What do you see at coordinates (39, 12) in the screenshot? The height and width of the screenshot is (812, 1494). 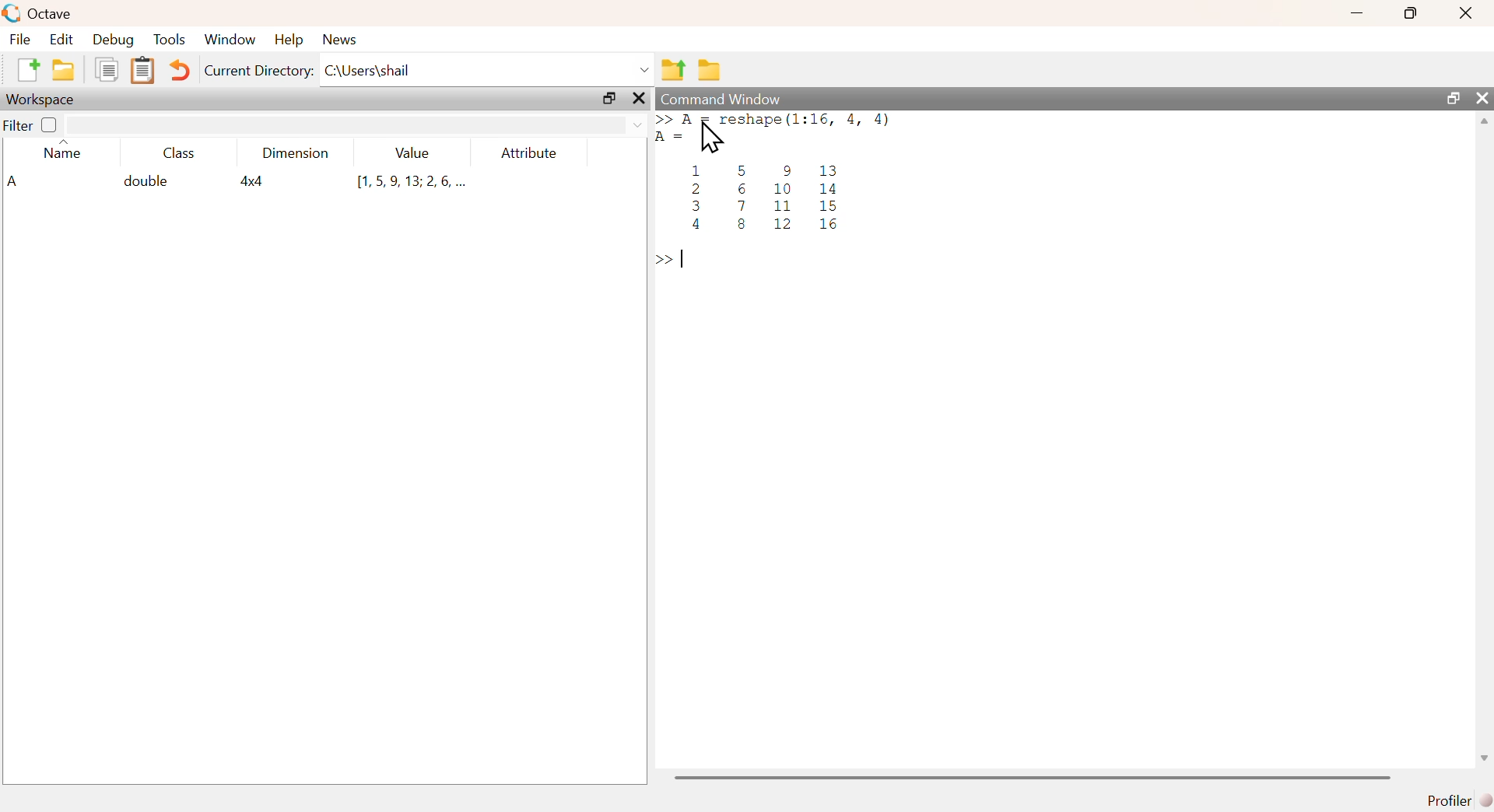 I see `octave` at bounding box center [39, 12].